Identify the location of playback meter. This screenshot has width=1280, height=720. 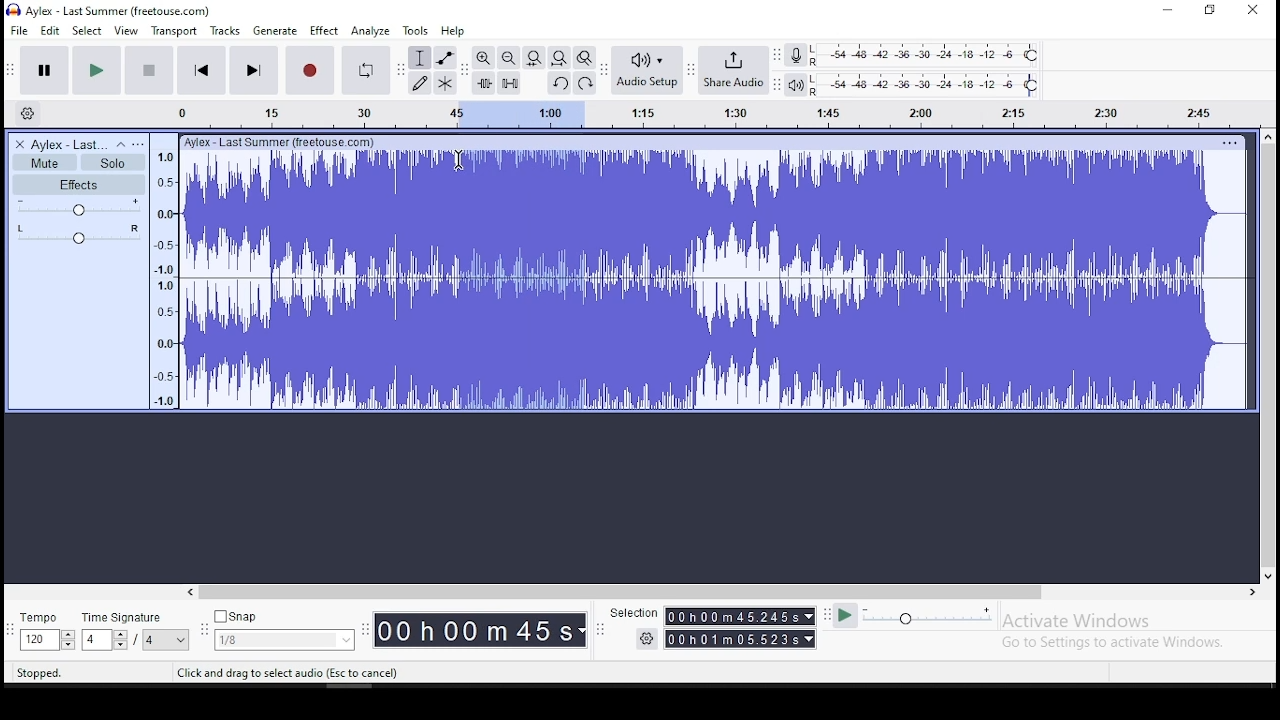
(799, 85).